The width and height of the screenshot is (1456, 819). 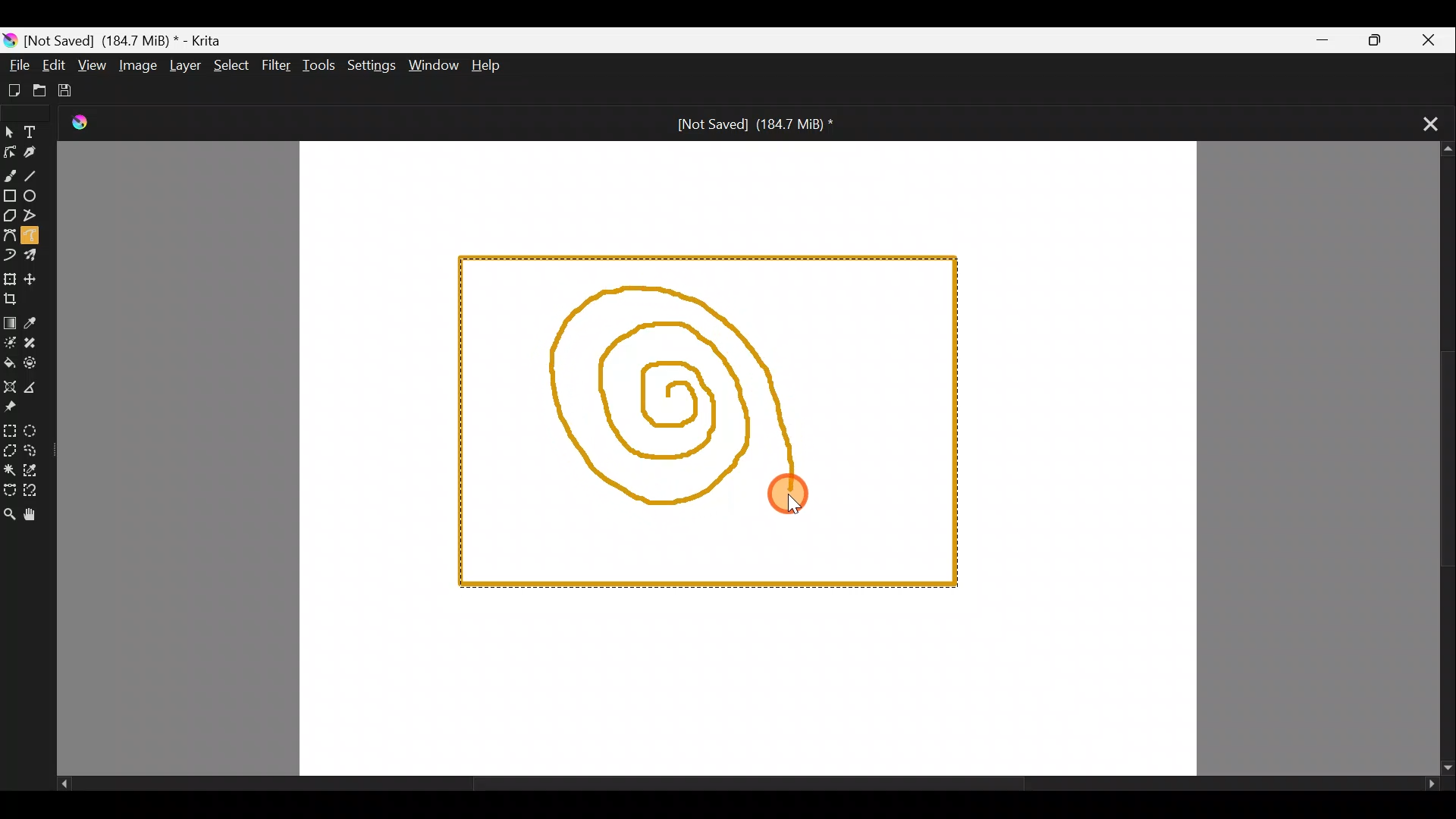 What do you see at coordinates (9, 514) in the screenshot?
I see `Zoom tool` at bounding box center [9, 514].